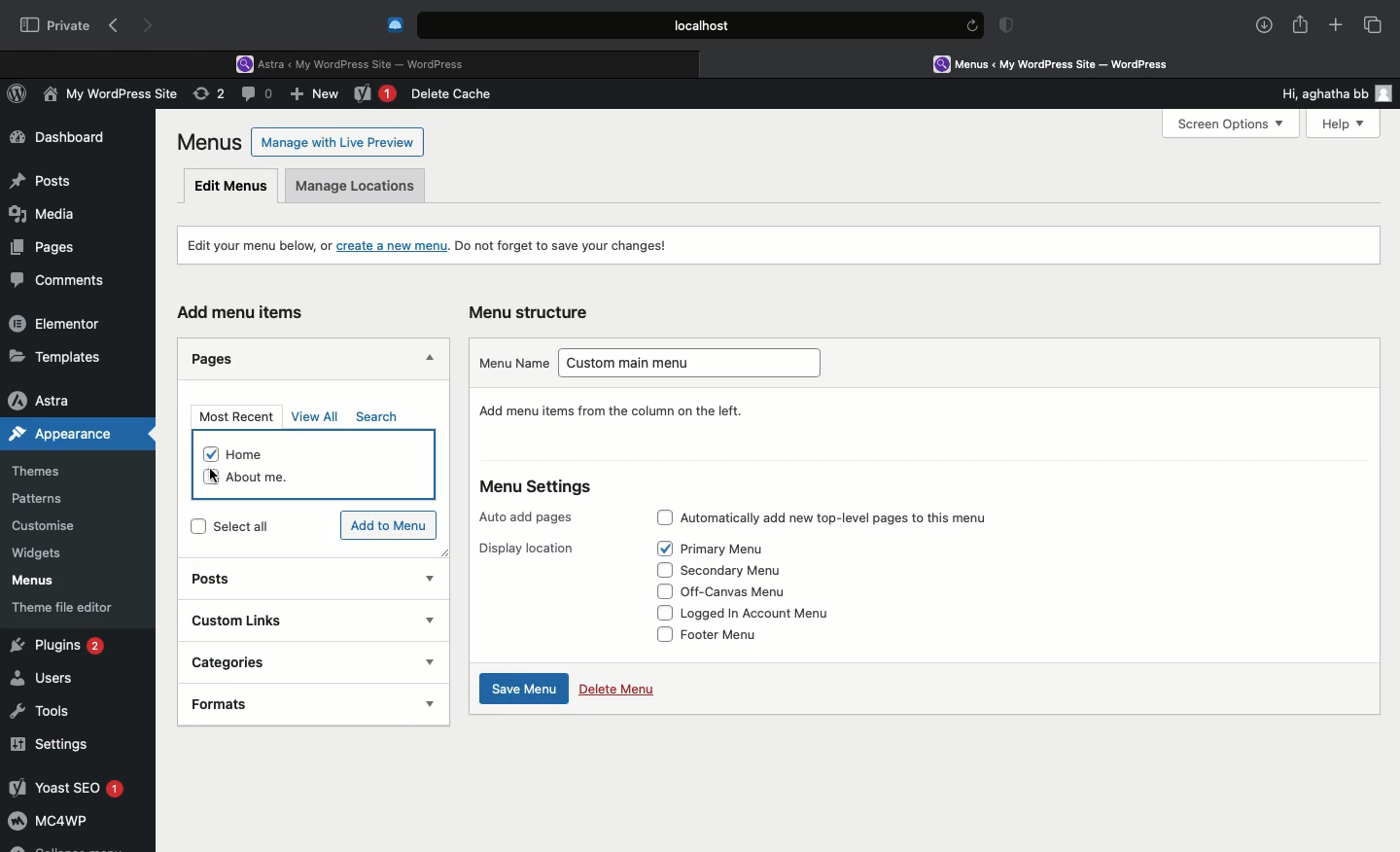  I want to click on Yoast SEO 1, so click(65, 787).